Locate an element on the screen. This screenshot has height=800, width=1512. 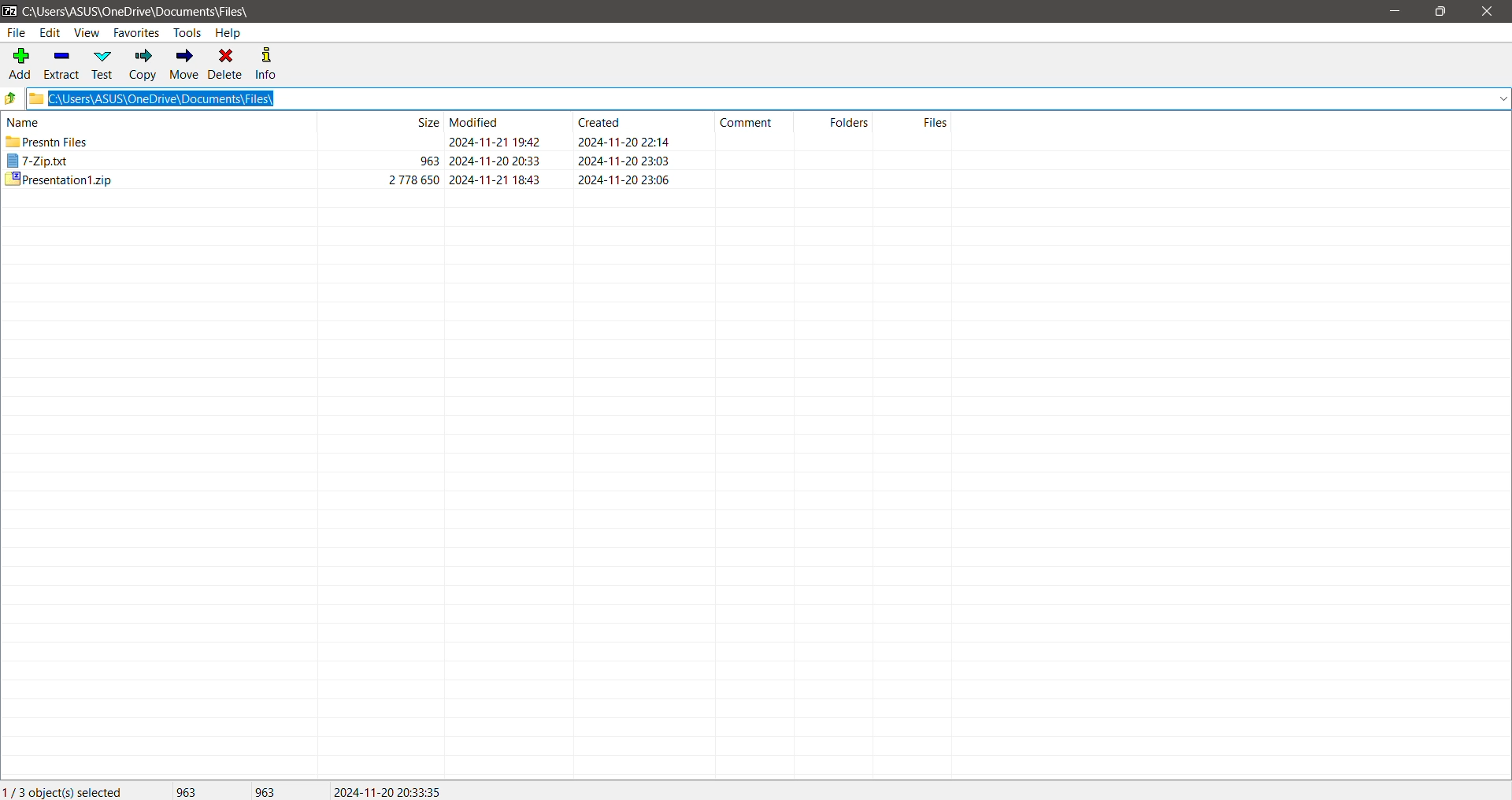
Move is located at coordinates (183, 65).